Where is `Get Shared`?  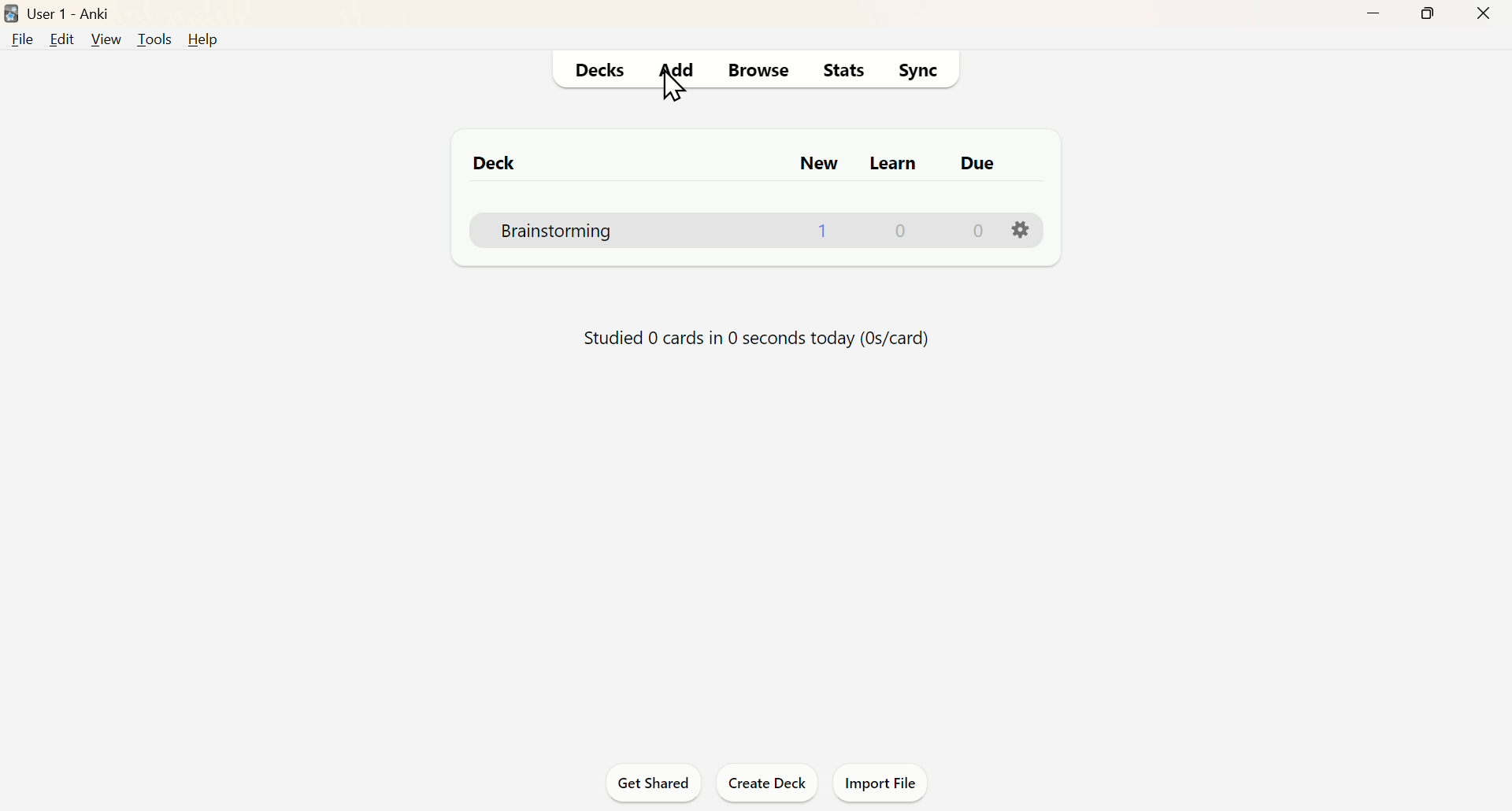 Get Shared is located at coordinates (659, 783).